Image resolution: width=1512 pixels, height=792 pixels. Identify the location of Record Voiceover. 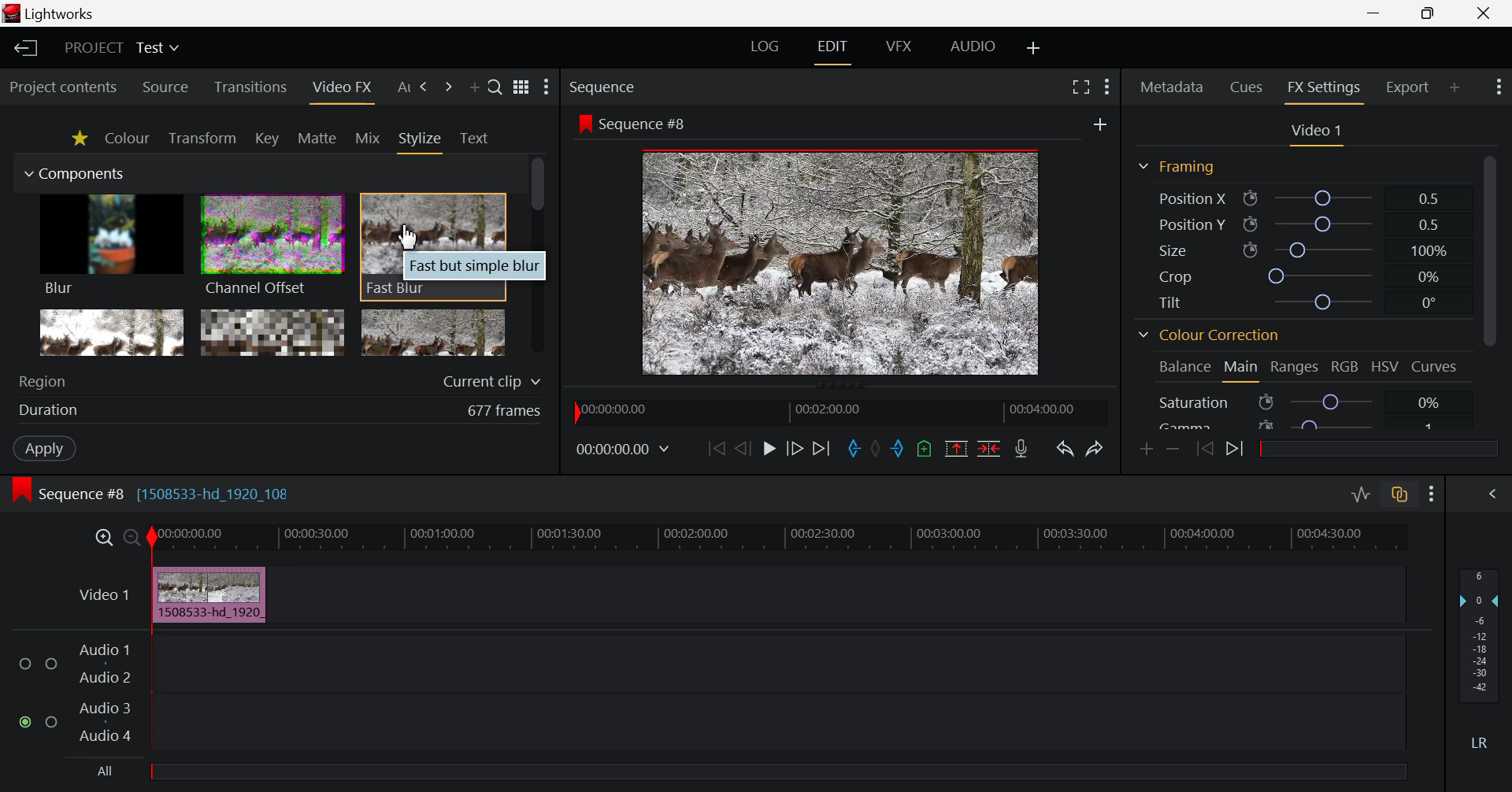
(1021, 451).